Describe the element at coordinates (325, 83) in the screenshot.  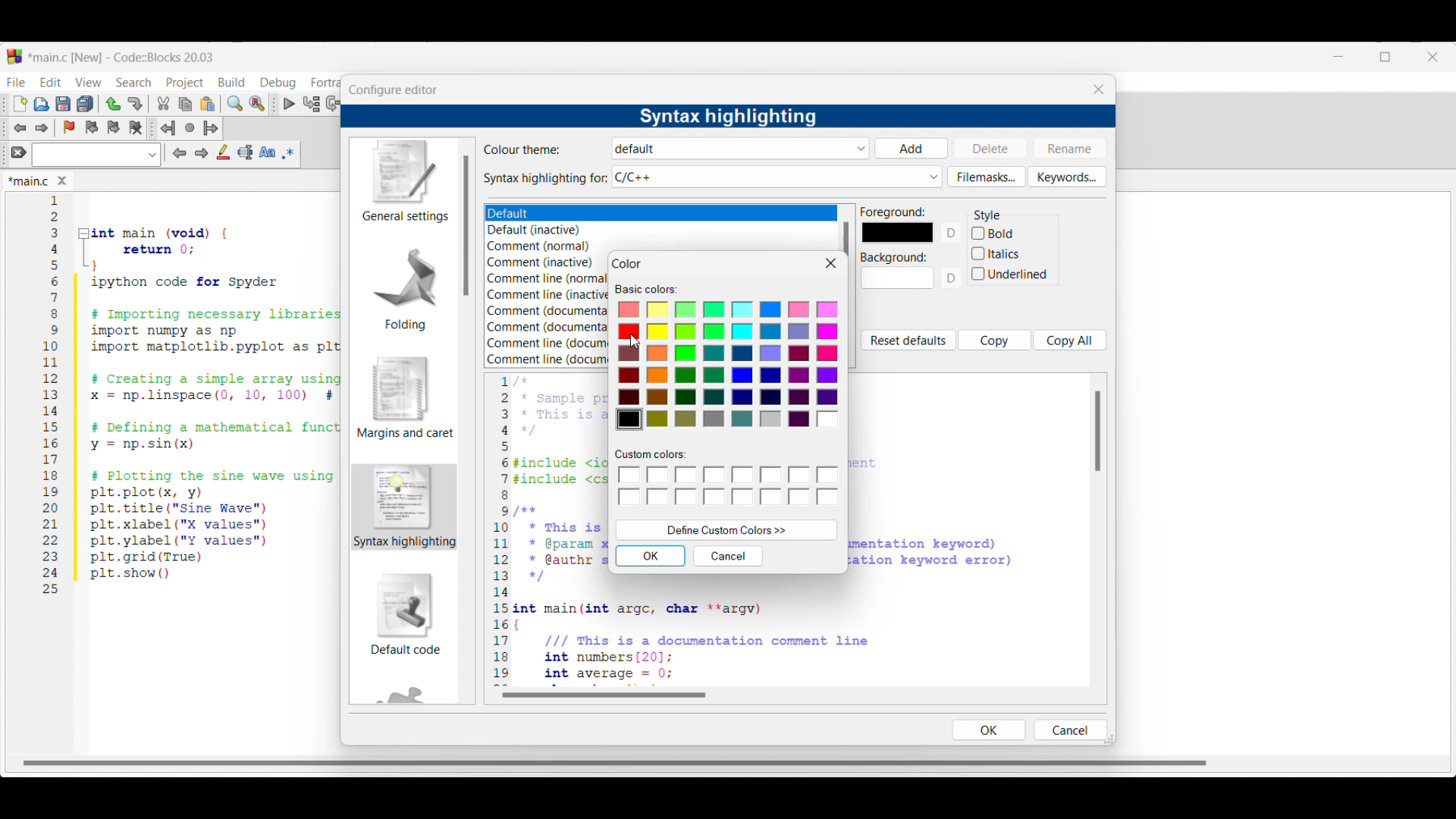
I see `Fortran menu ` at that location.